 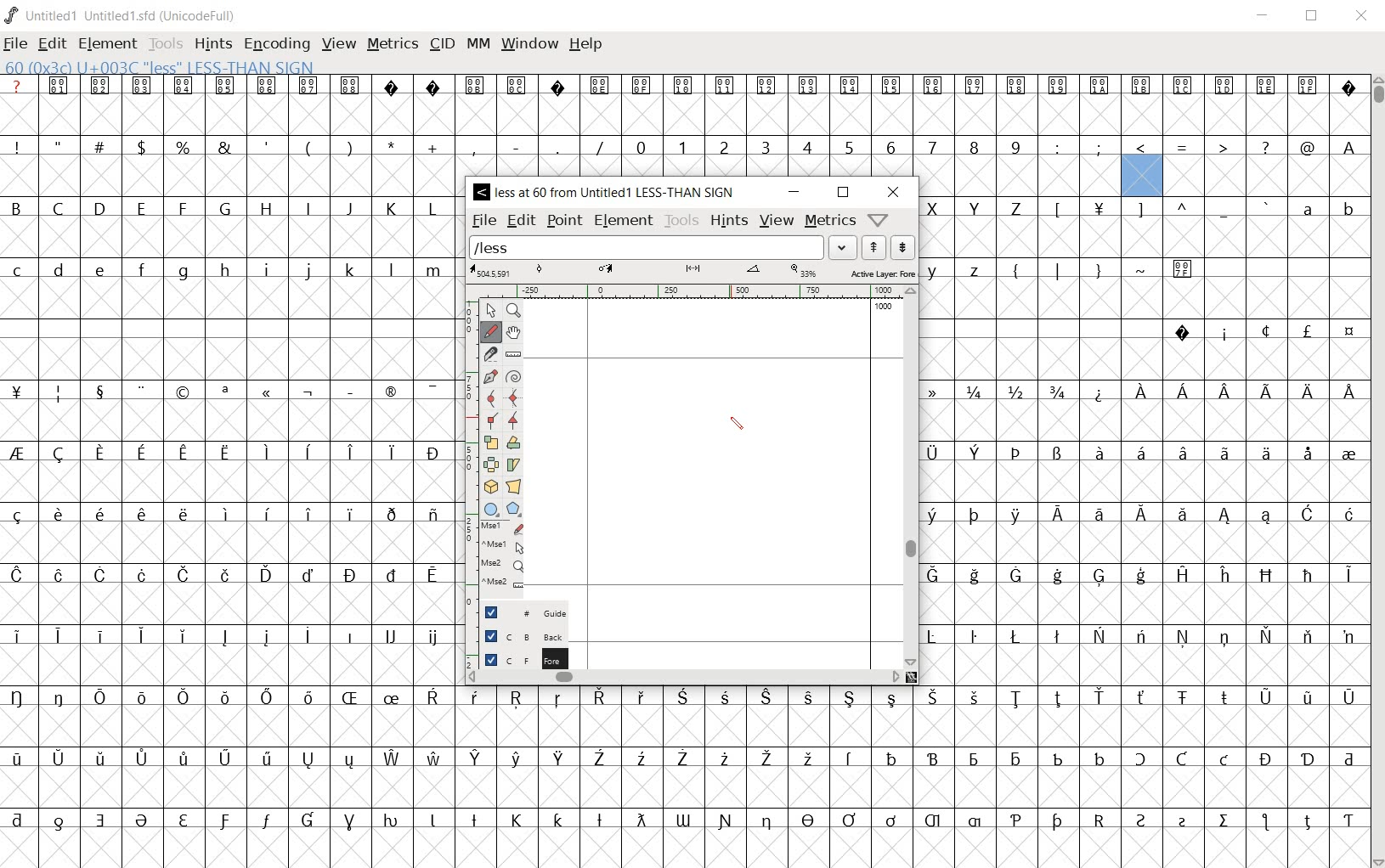 I want to click on Magnify, so click(x=515, y=311).